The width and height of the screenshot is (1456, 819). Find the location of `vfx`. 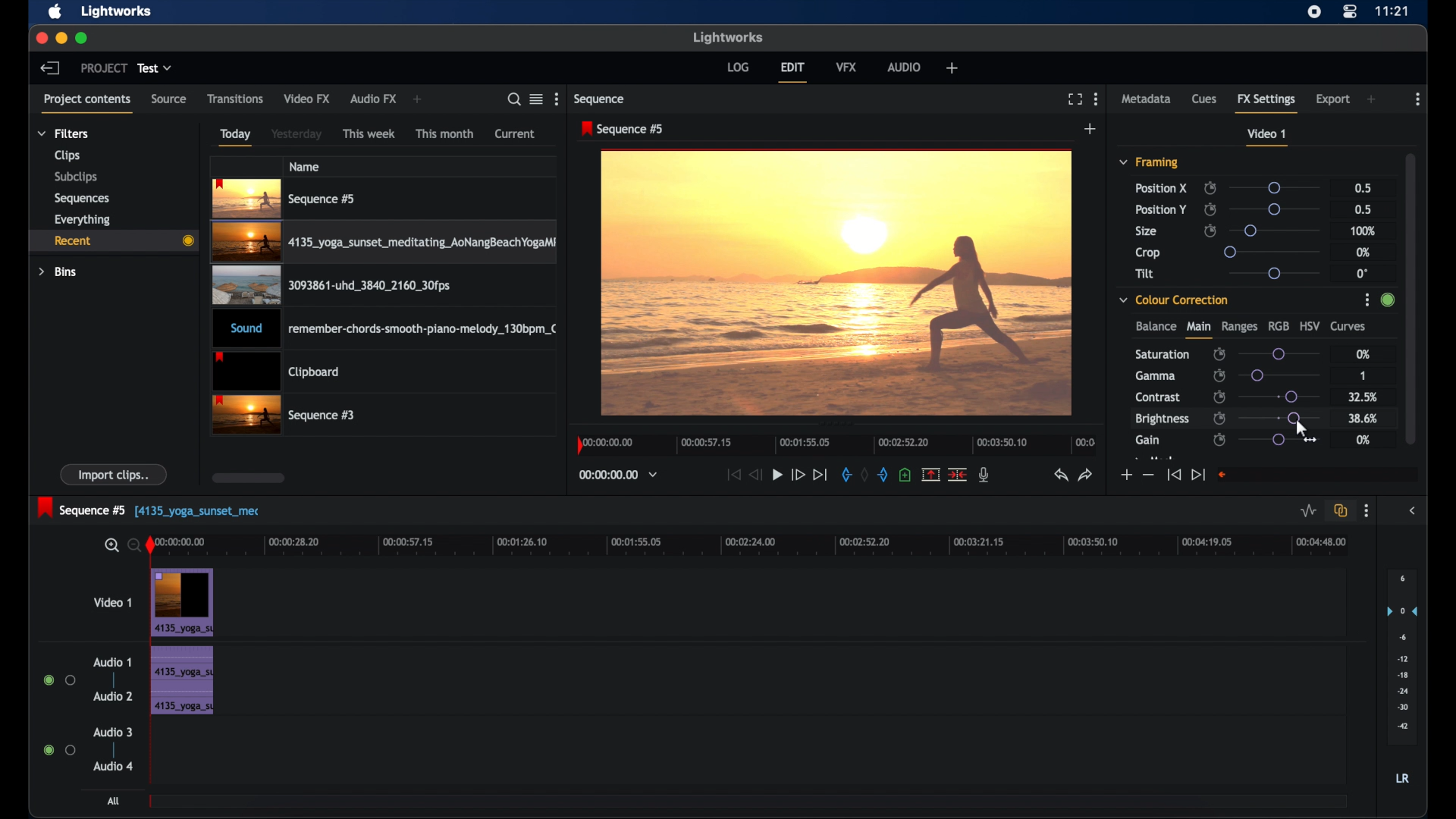

vfx is located at coordinates (846, 66).